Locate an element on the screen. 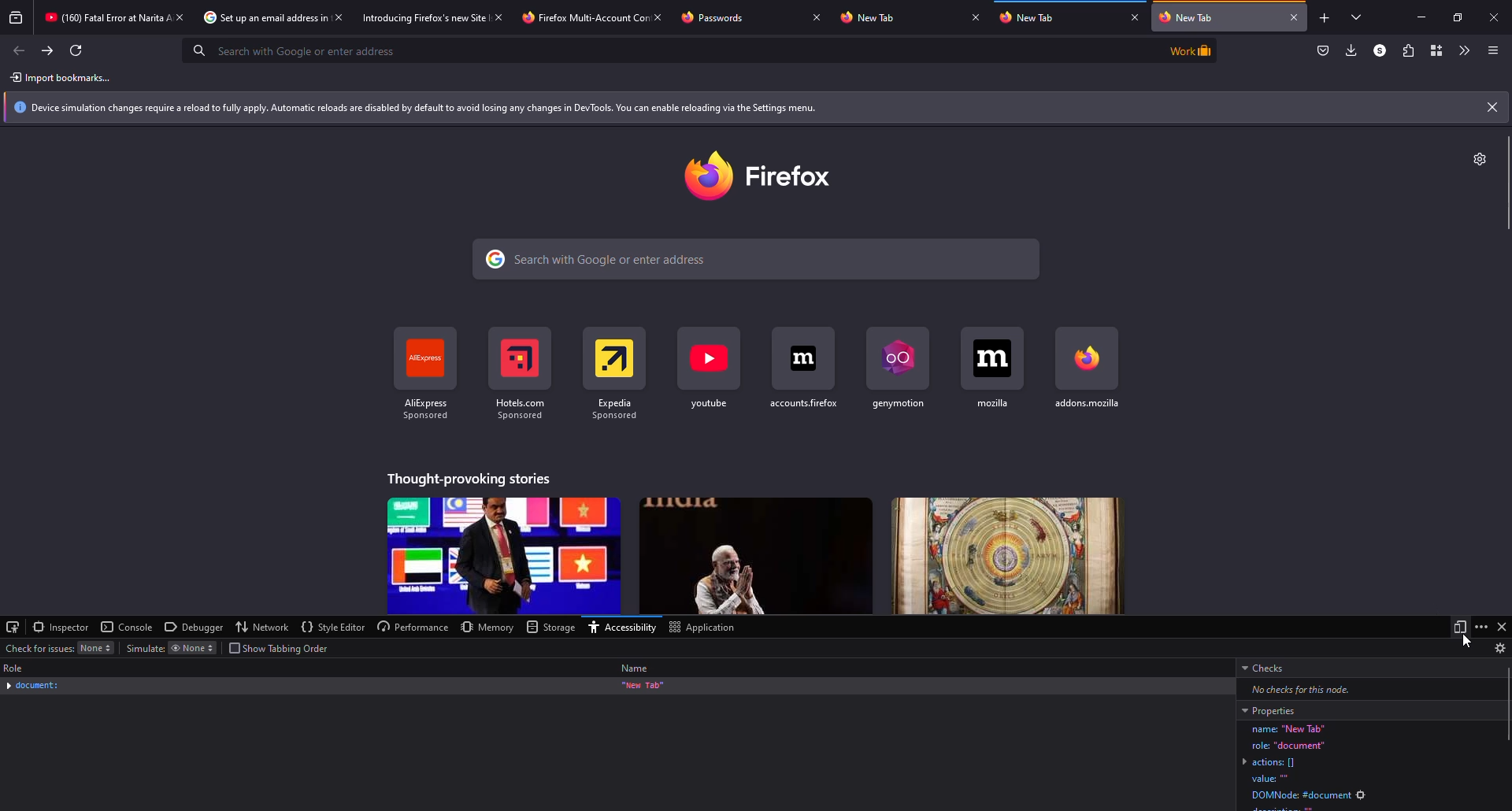  new tab is located at coordinates (643, 686).